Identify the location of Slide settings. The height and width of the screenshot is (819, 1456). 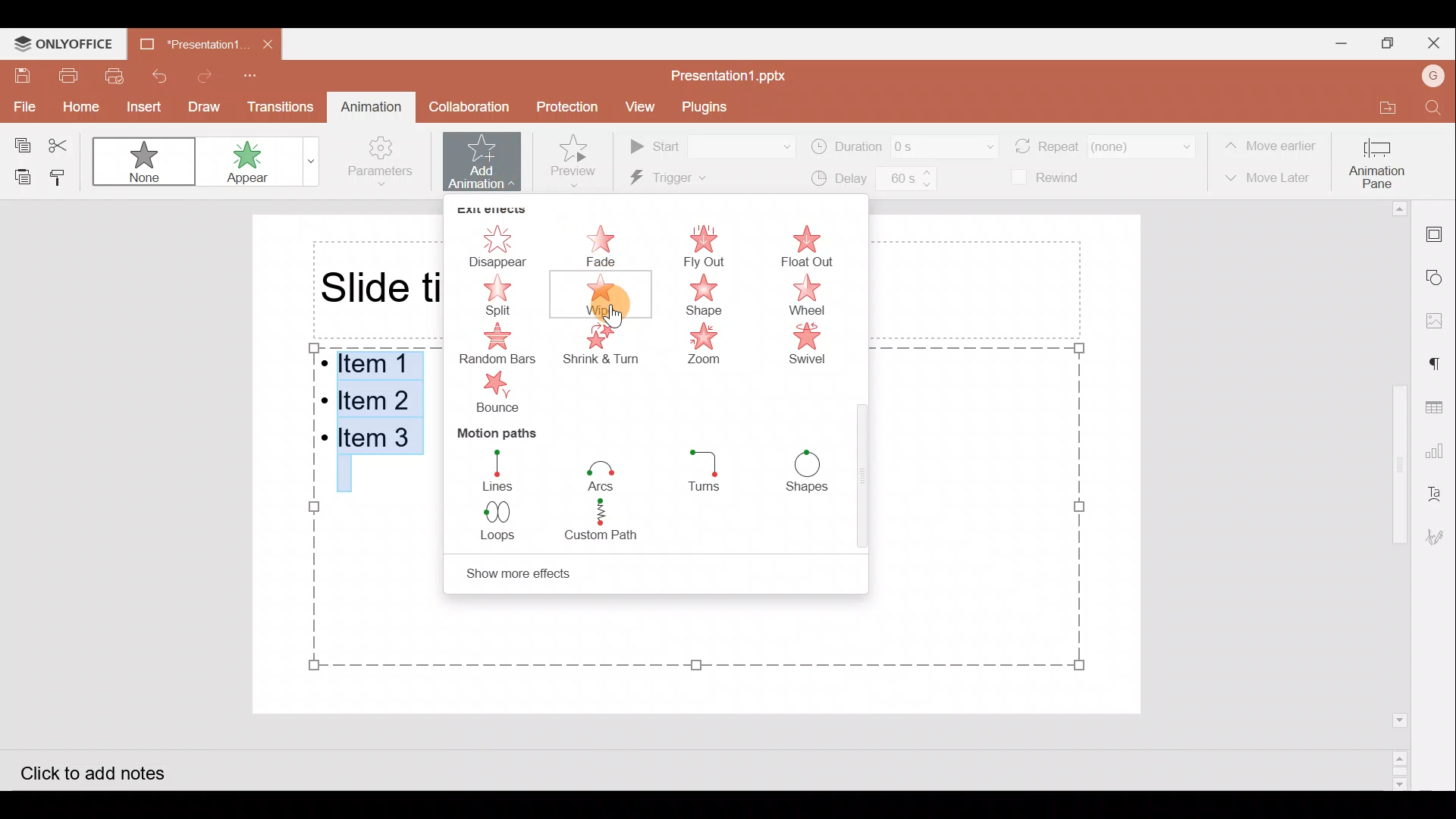
(1442, 237).